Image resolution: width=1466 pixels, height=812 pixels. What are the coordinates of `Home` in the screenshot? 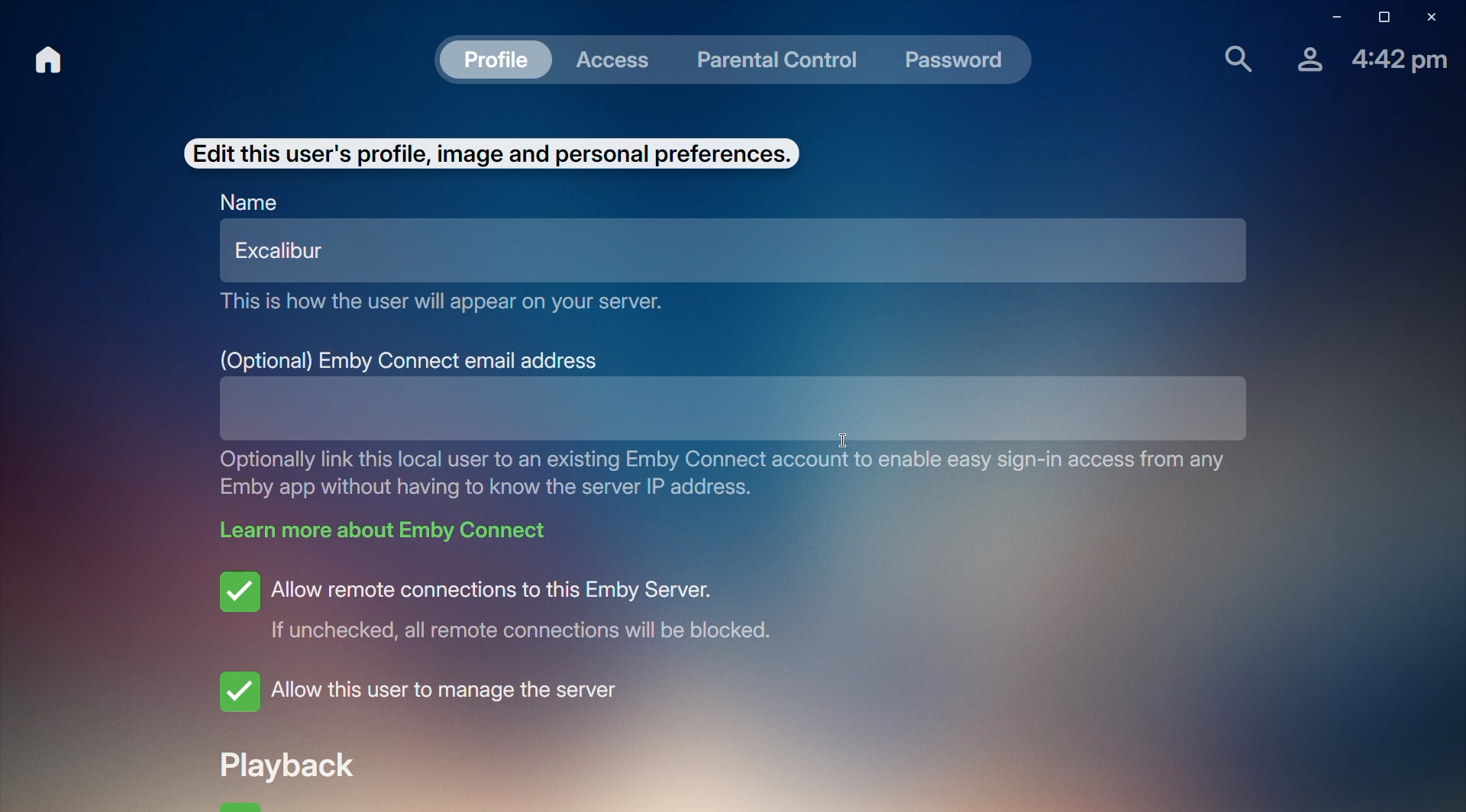 It's located at (53, 60).